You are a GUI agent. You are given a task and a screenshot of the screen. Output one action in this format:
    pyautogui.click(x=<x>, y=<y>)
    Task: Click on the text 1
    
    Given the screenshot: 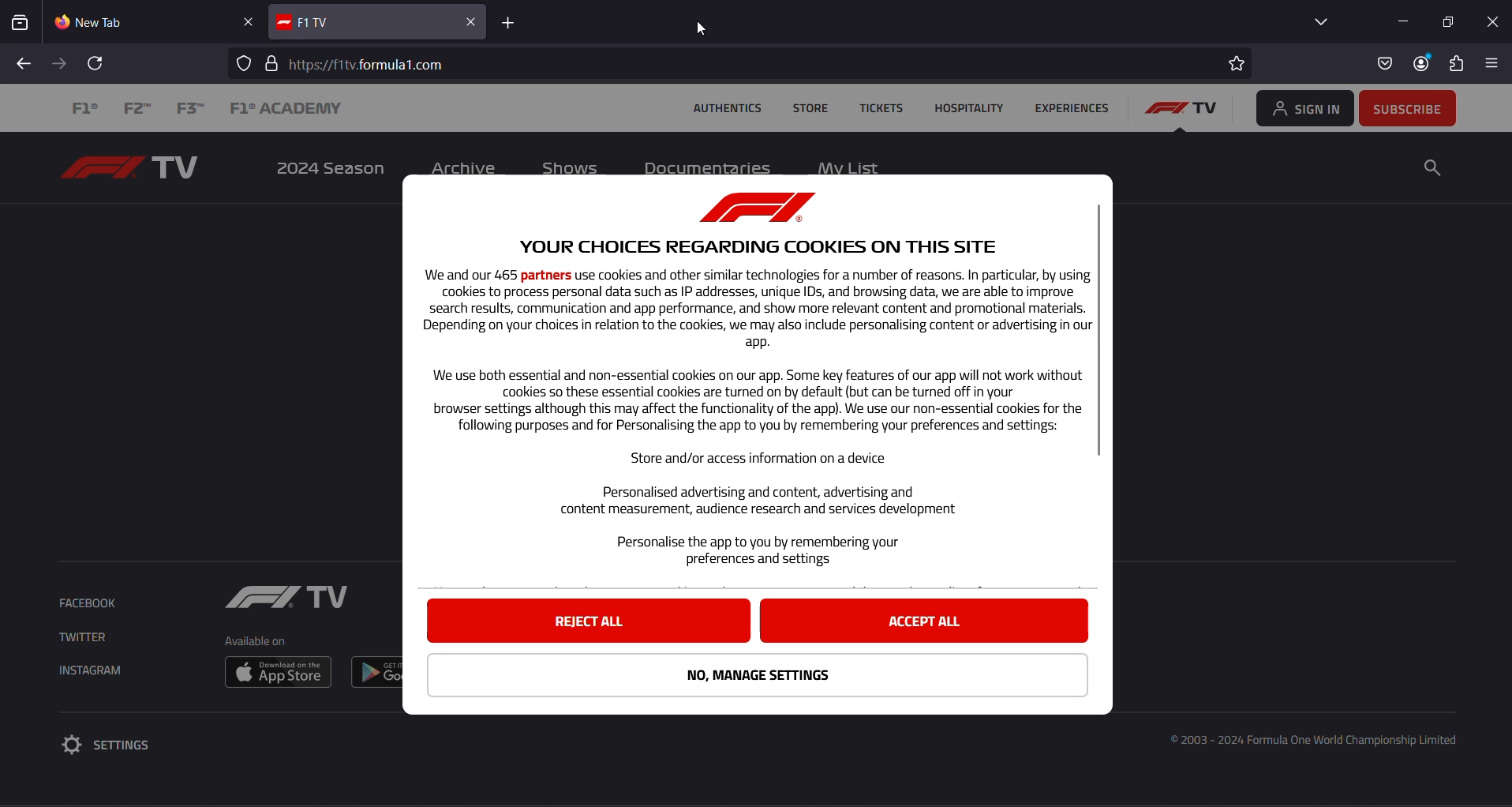 What is the action you would take?
    pyautogui.click(x=1319, y=743)
    